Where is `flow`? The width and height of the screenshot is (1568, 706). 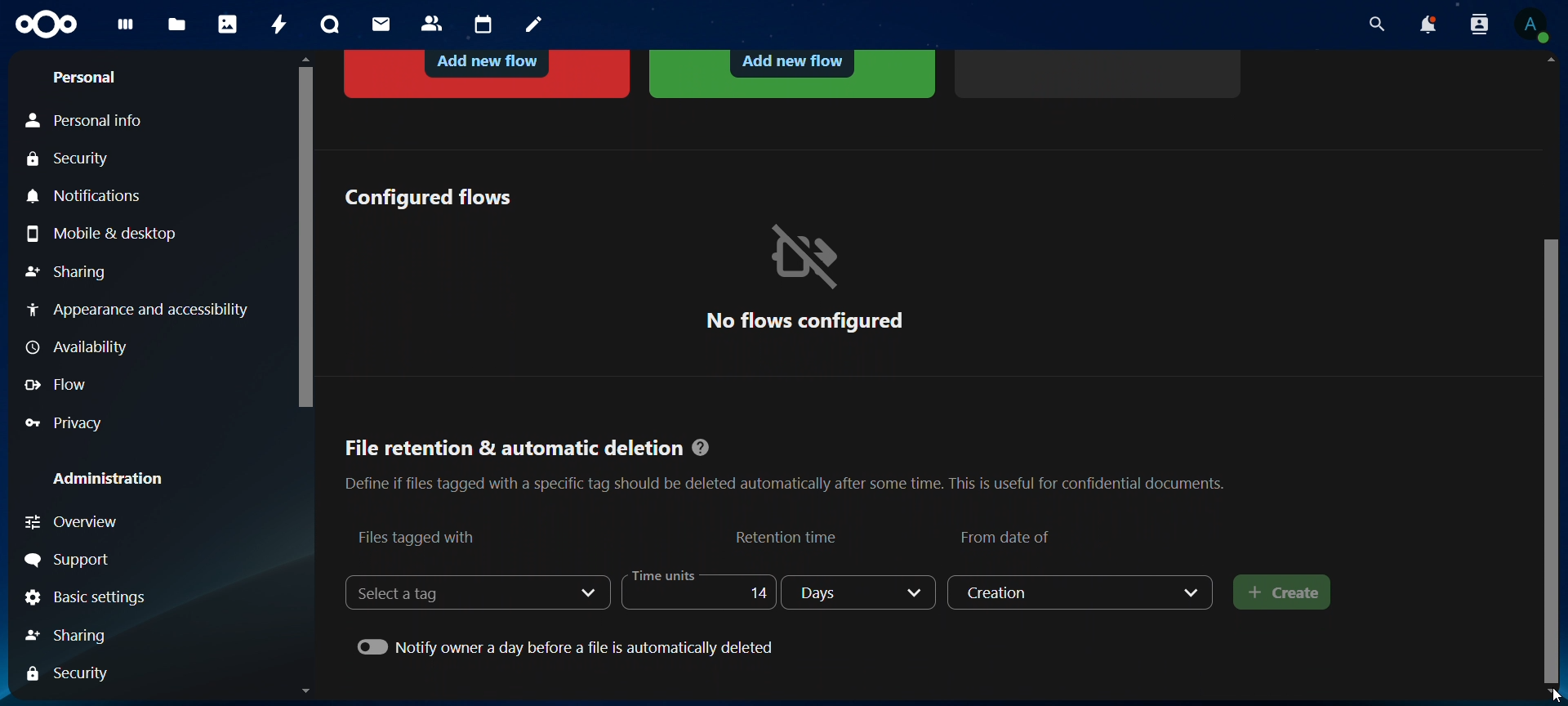
flow is located at coordinates (60, 385).